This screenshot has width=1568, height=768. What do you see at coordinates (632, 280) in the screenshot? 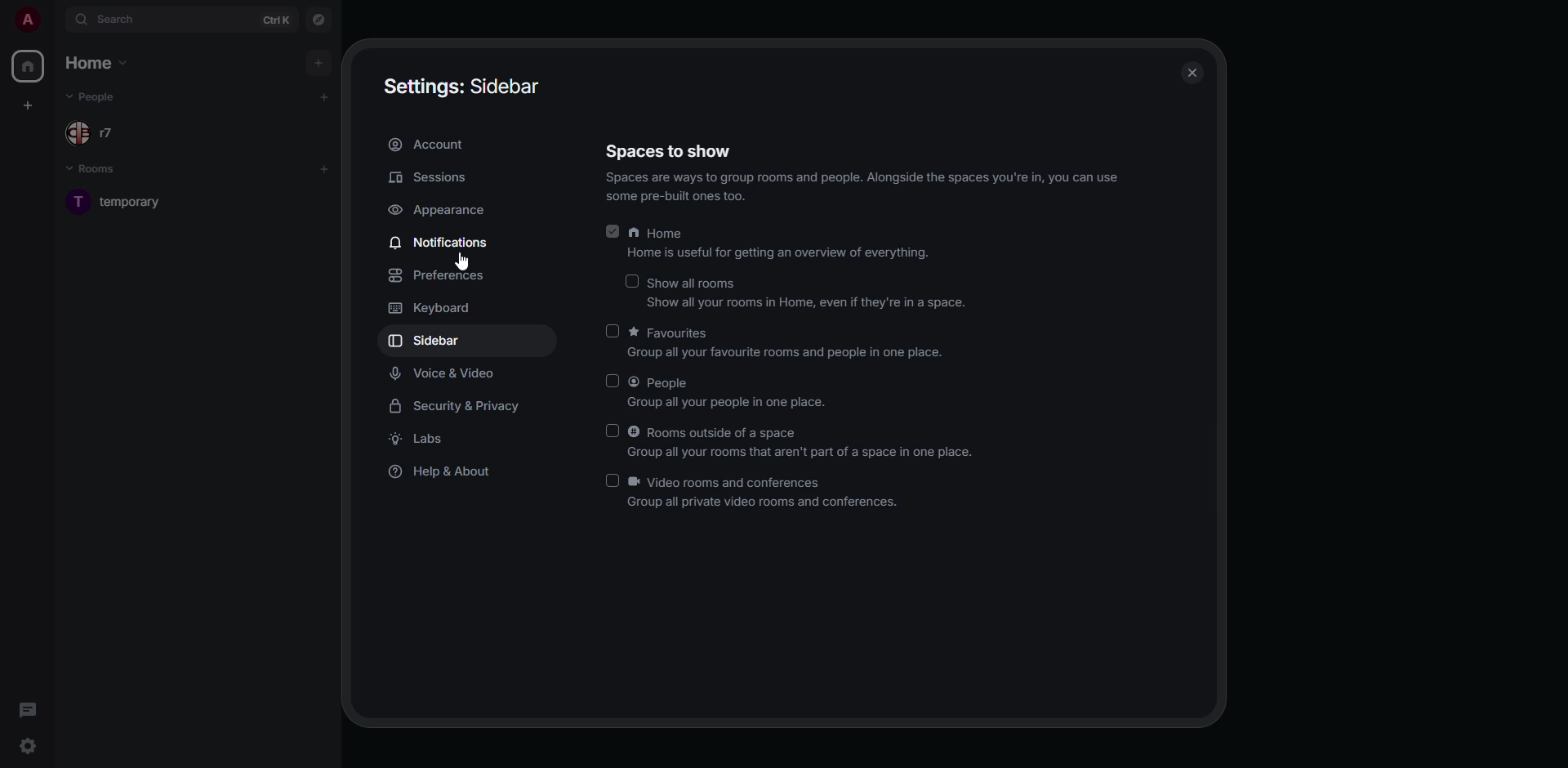
I see `click to enable` at bounding box center [632, 280].